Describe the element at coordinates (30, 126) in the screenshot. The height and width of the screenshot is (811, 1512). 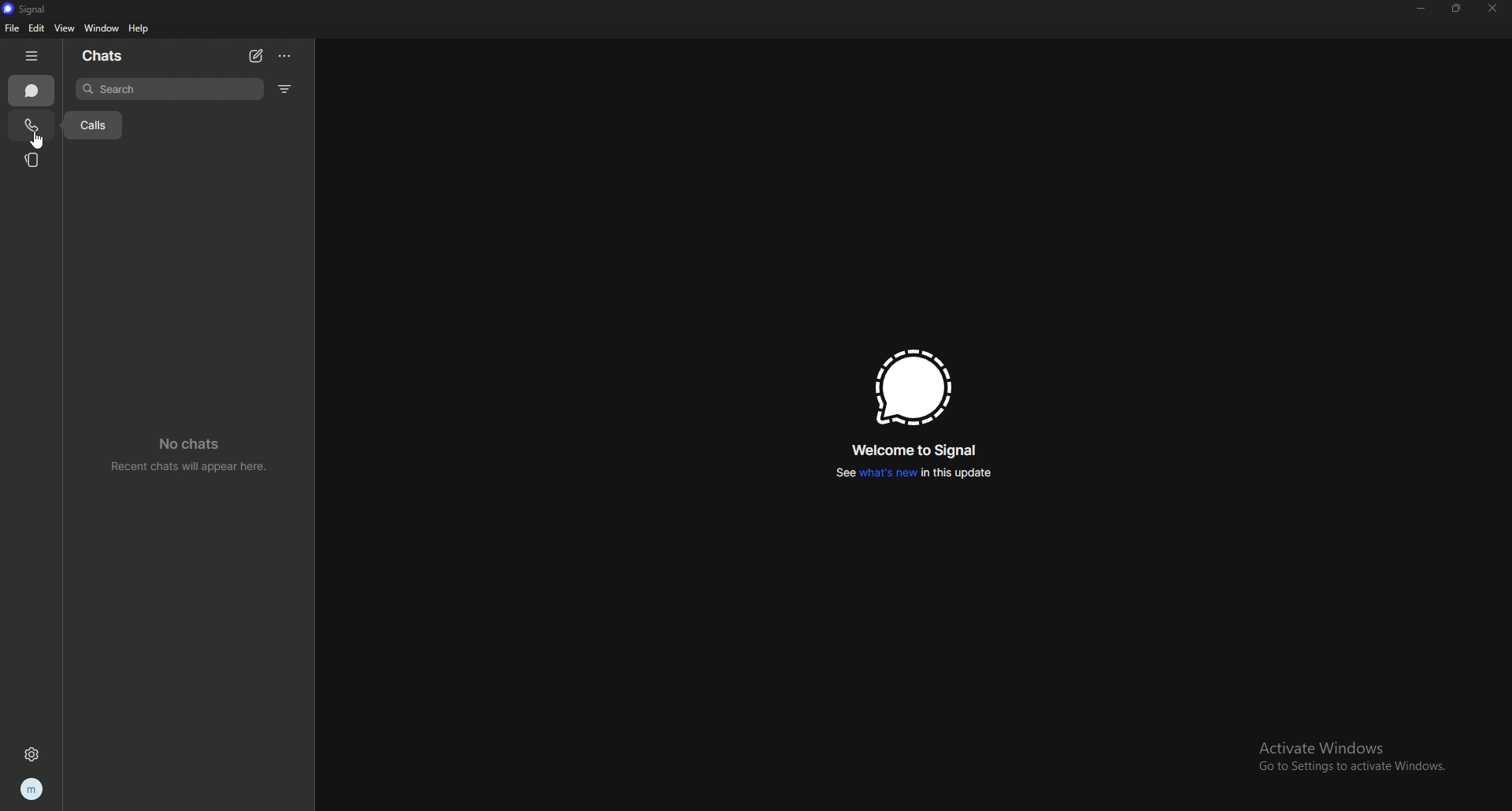
I see `calls` at that location.